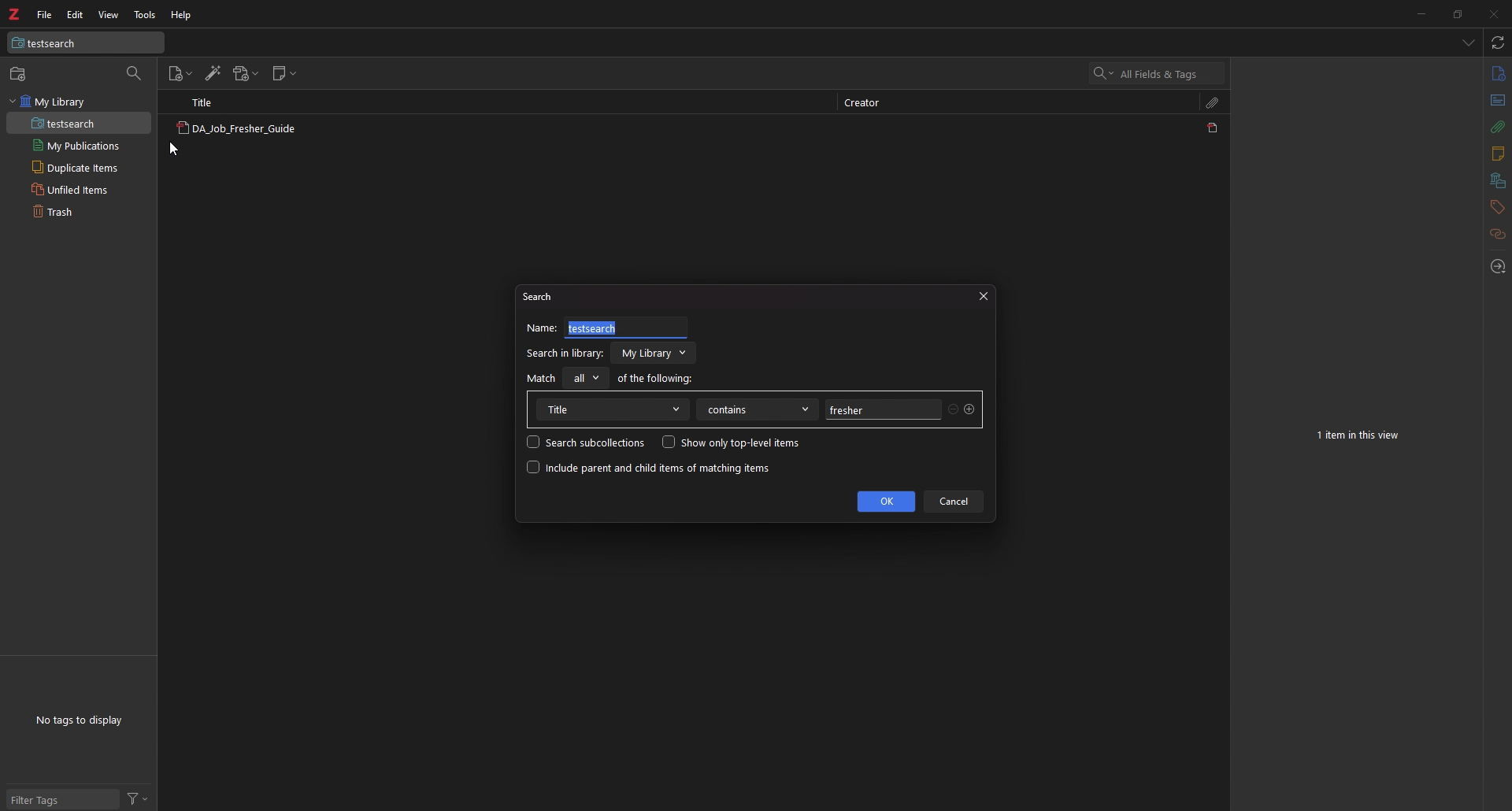  Describe the element at coordinates (983, 297) in the screenshot. I see `close` at that location.